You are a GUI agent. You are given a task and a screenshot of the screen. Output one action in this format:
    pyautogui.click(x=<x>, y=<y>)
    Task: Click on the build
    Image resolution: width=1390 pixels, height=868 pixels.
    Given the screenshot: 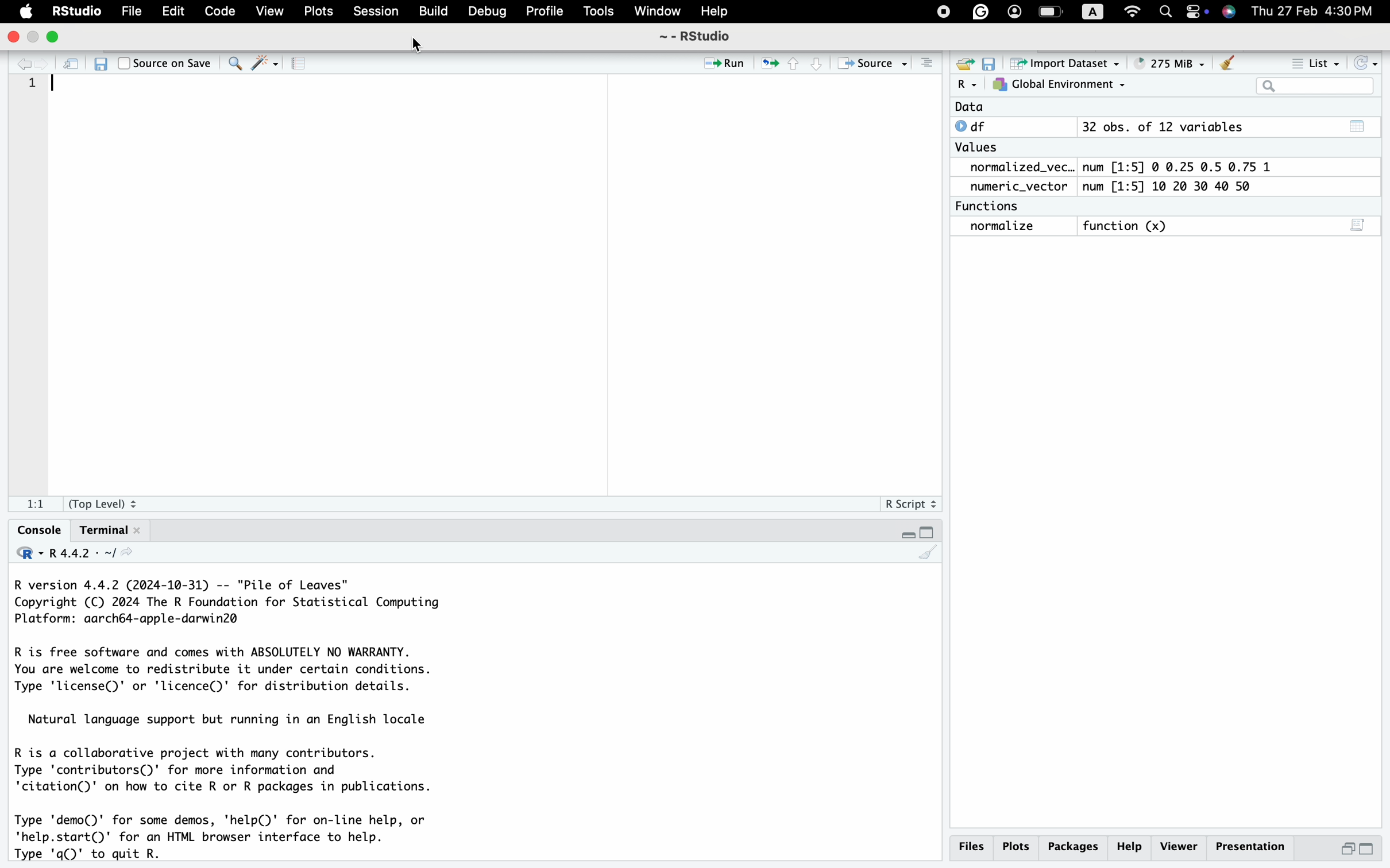 What is the action you would take?
    pyautogui.click(x=433, y=11)
    